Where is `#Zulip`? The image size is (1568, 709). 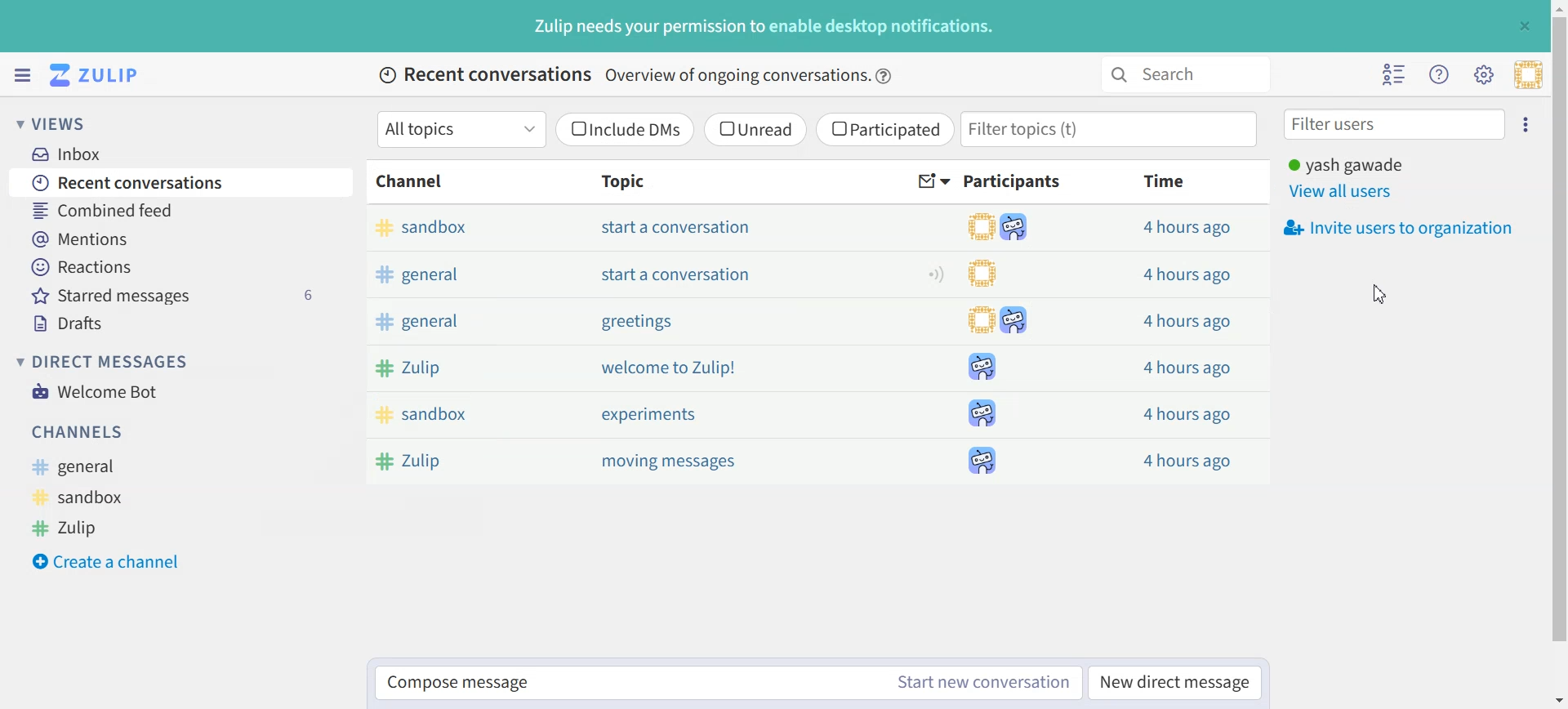
#Zulip is located at coordinates (79, 526).